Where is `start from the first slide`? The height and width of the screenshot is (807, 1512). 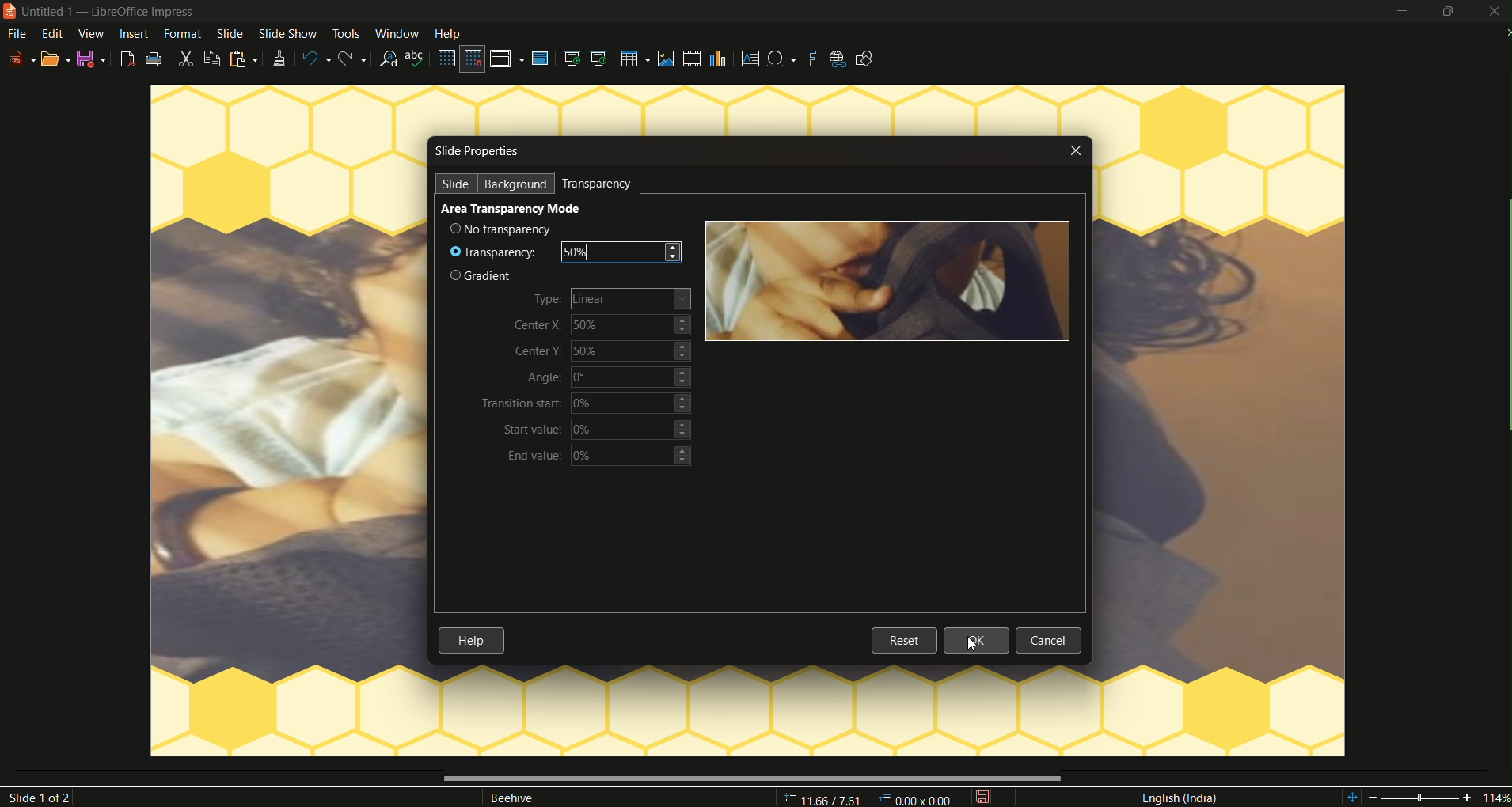
start from the first slide is located at coordinates (572, 59).